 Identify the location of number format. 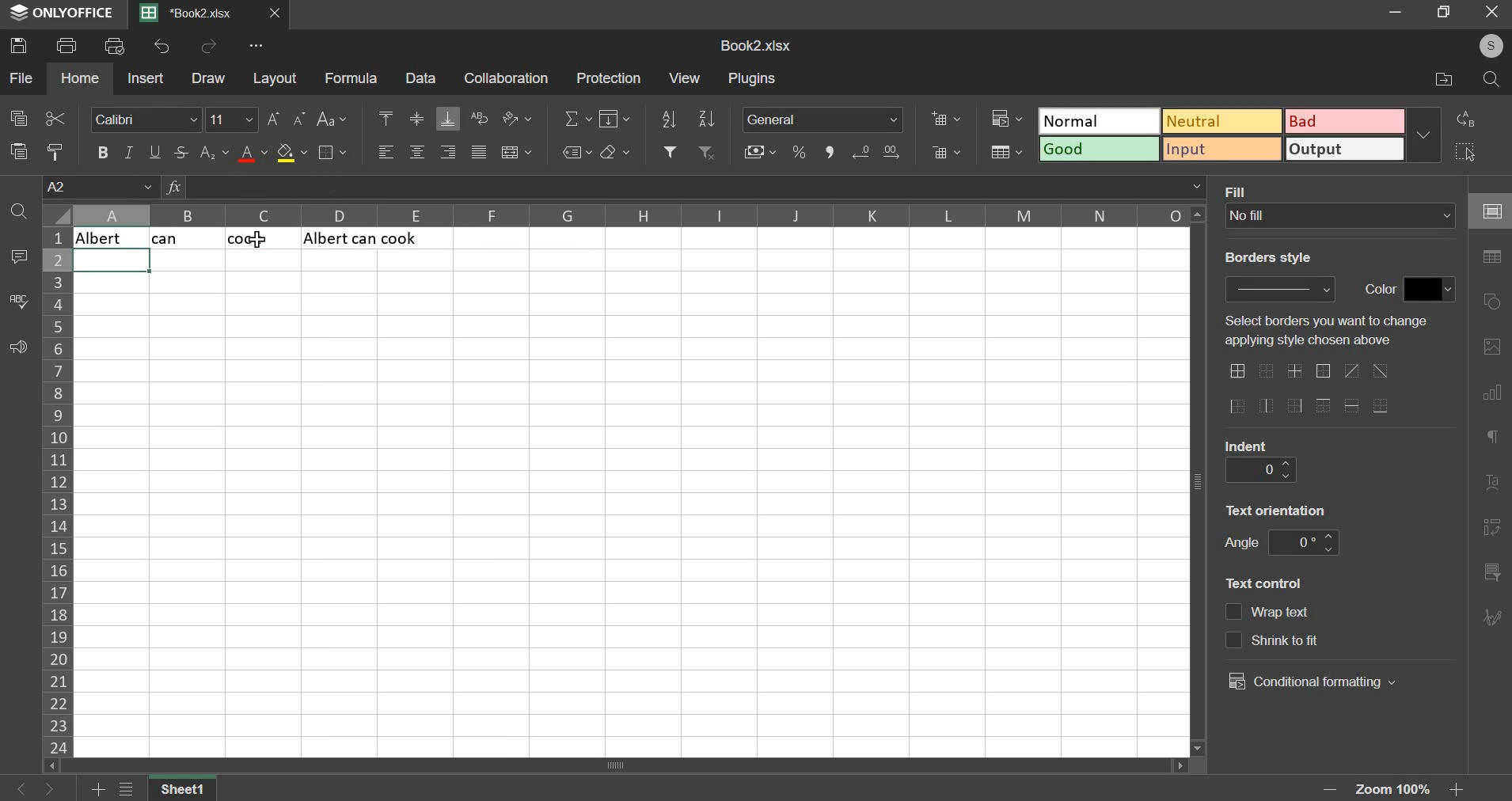
(822, 117).